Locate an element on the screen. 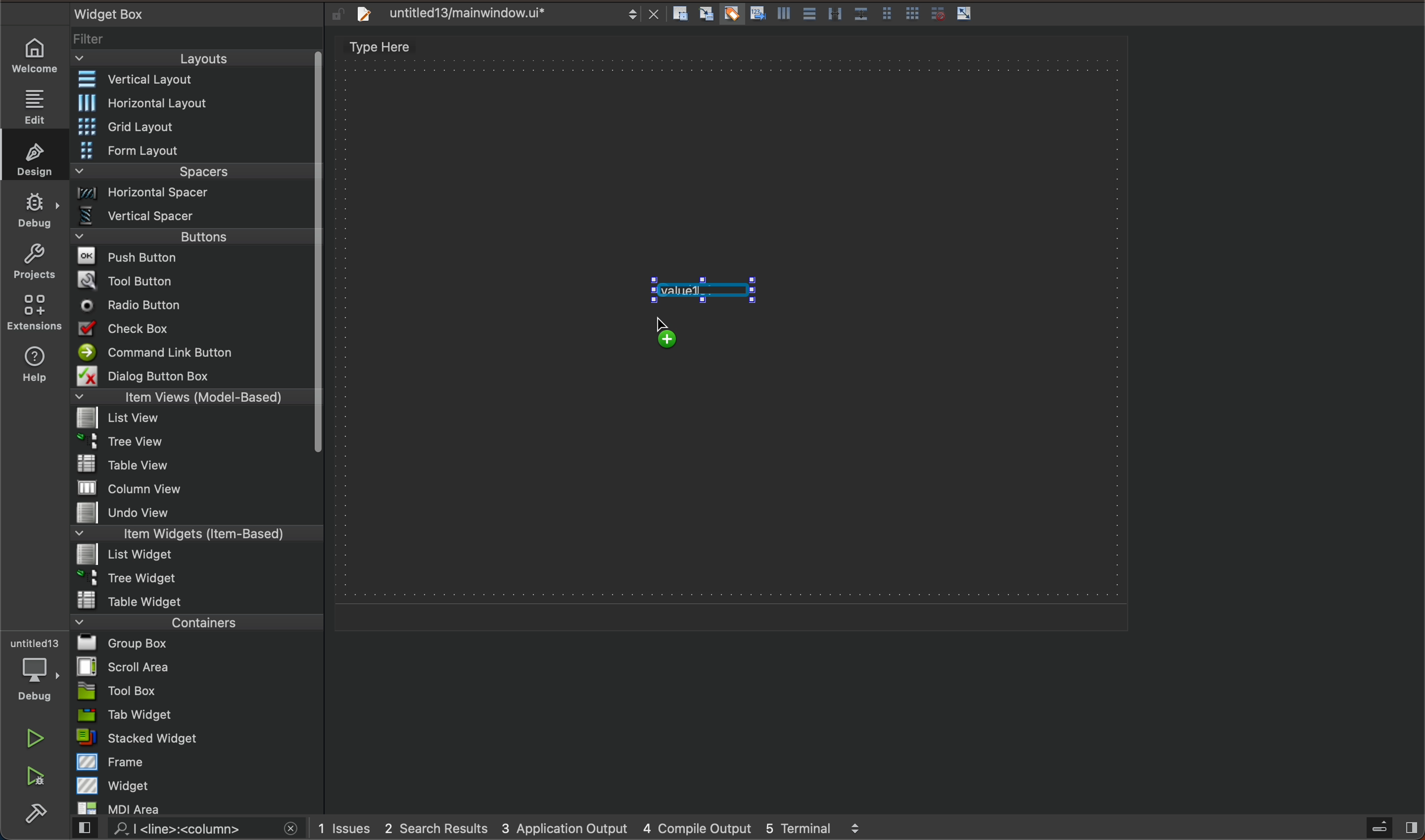 The image size is (1425, 840). mdi area is located at coordinates (196, 806).